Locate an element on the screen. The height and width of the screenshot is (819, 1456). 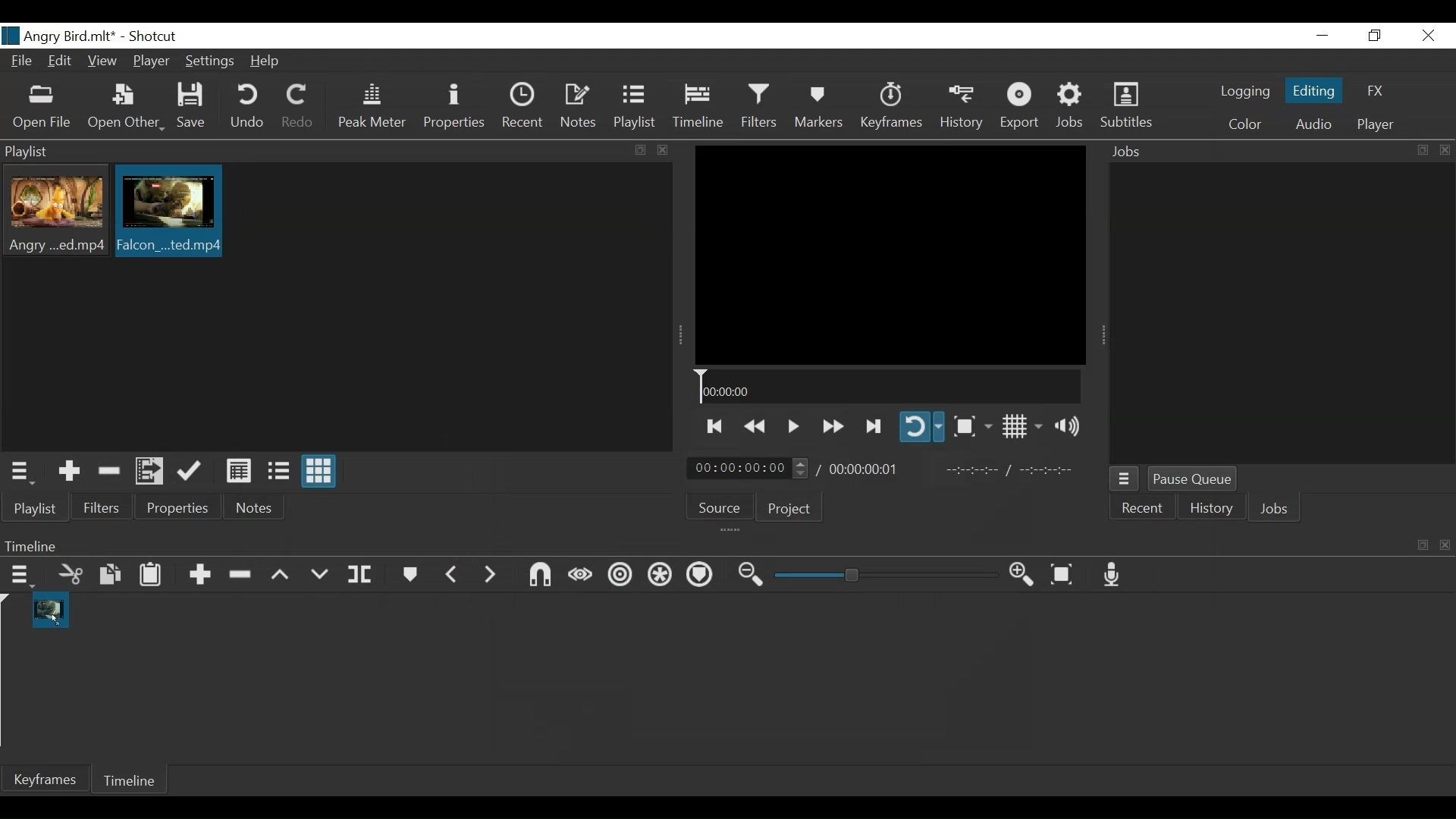
Settings is located at coordinates (211, 63).